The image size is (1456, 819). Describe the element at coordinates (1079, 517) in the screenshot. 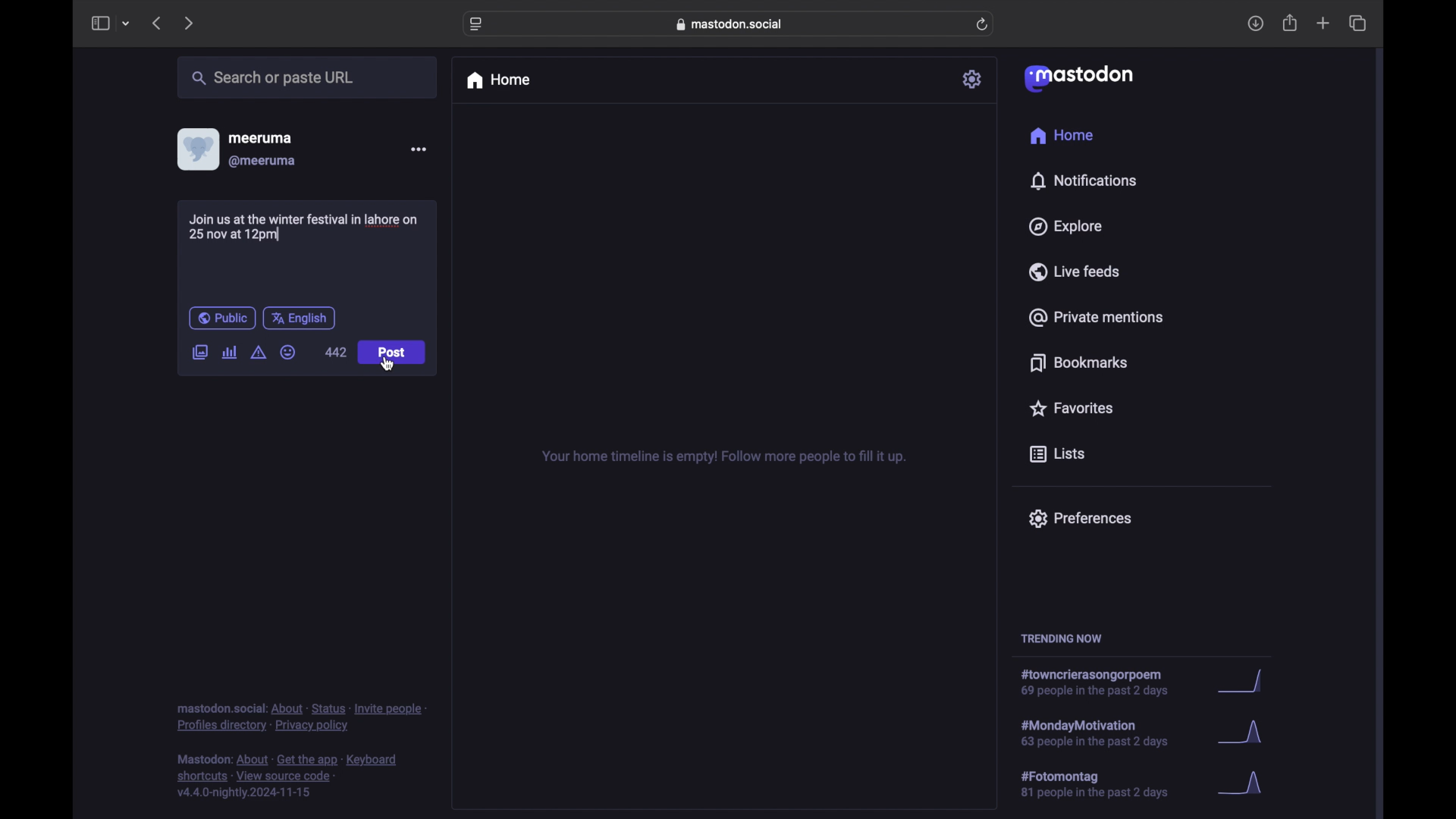

I see `preferences` at that location.